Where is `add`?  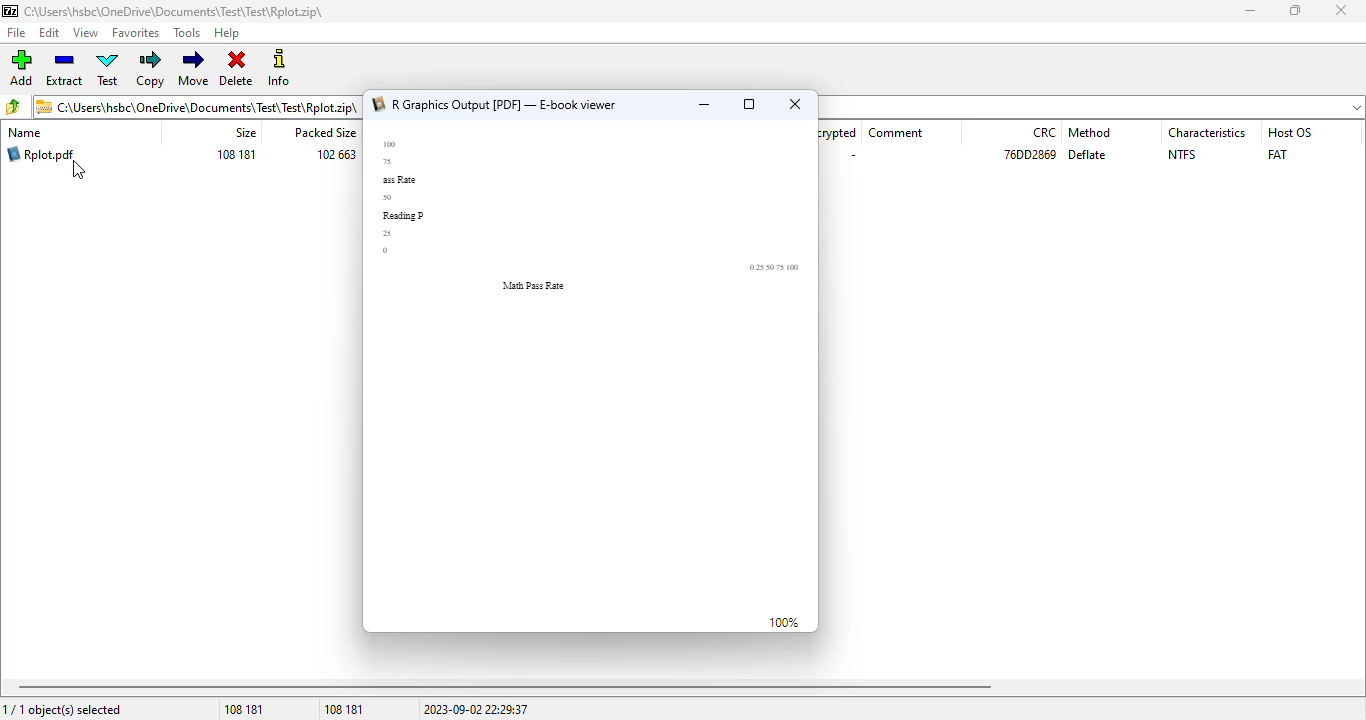 add is located at coordinates (22, 67).